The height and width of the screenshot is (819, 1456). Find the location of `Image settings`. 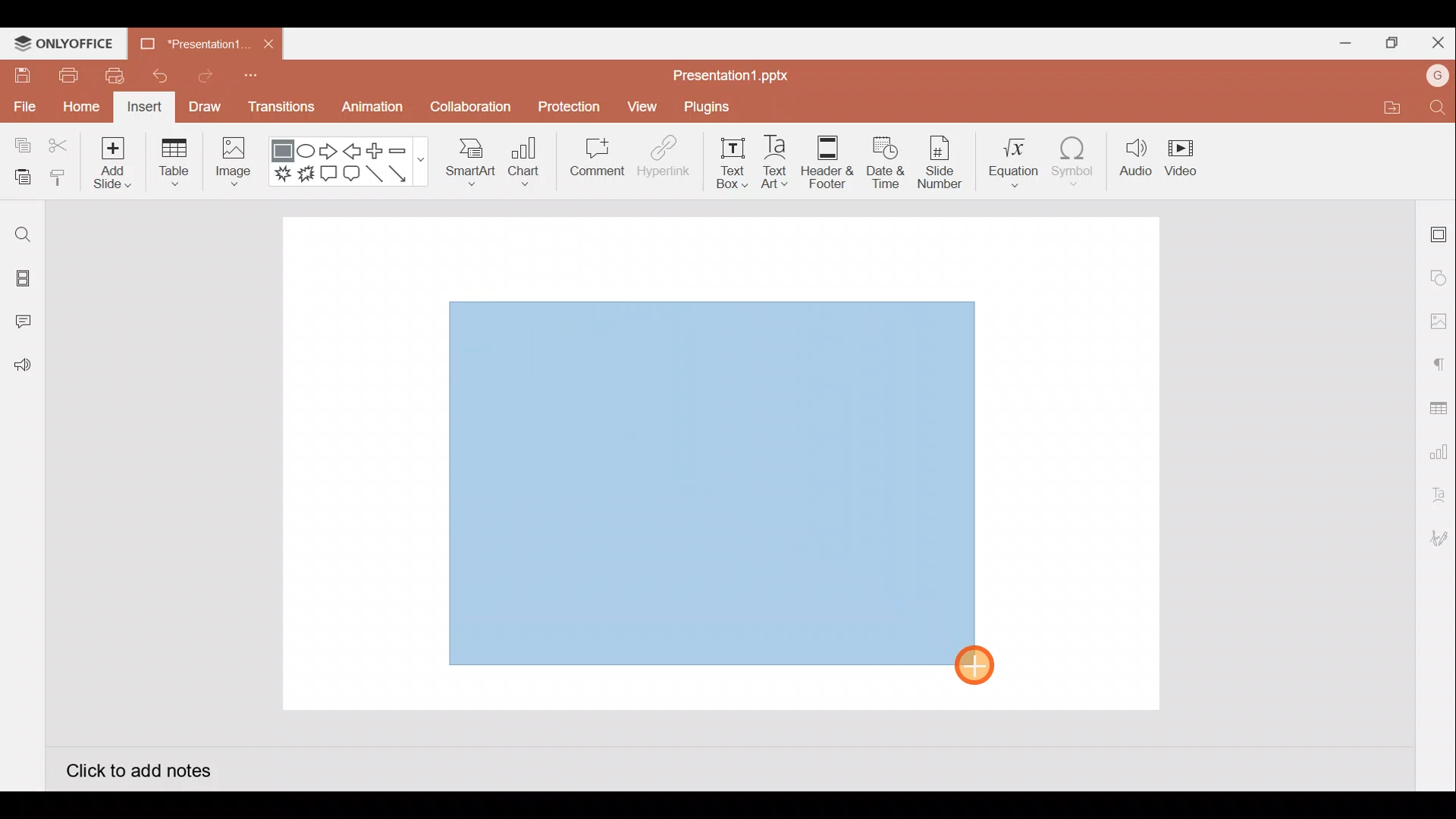

Image settings is located at coordinates (1439, 322).